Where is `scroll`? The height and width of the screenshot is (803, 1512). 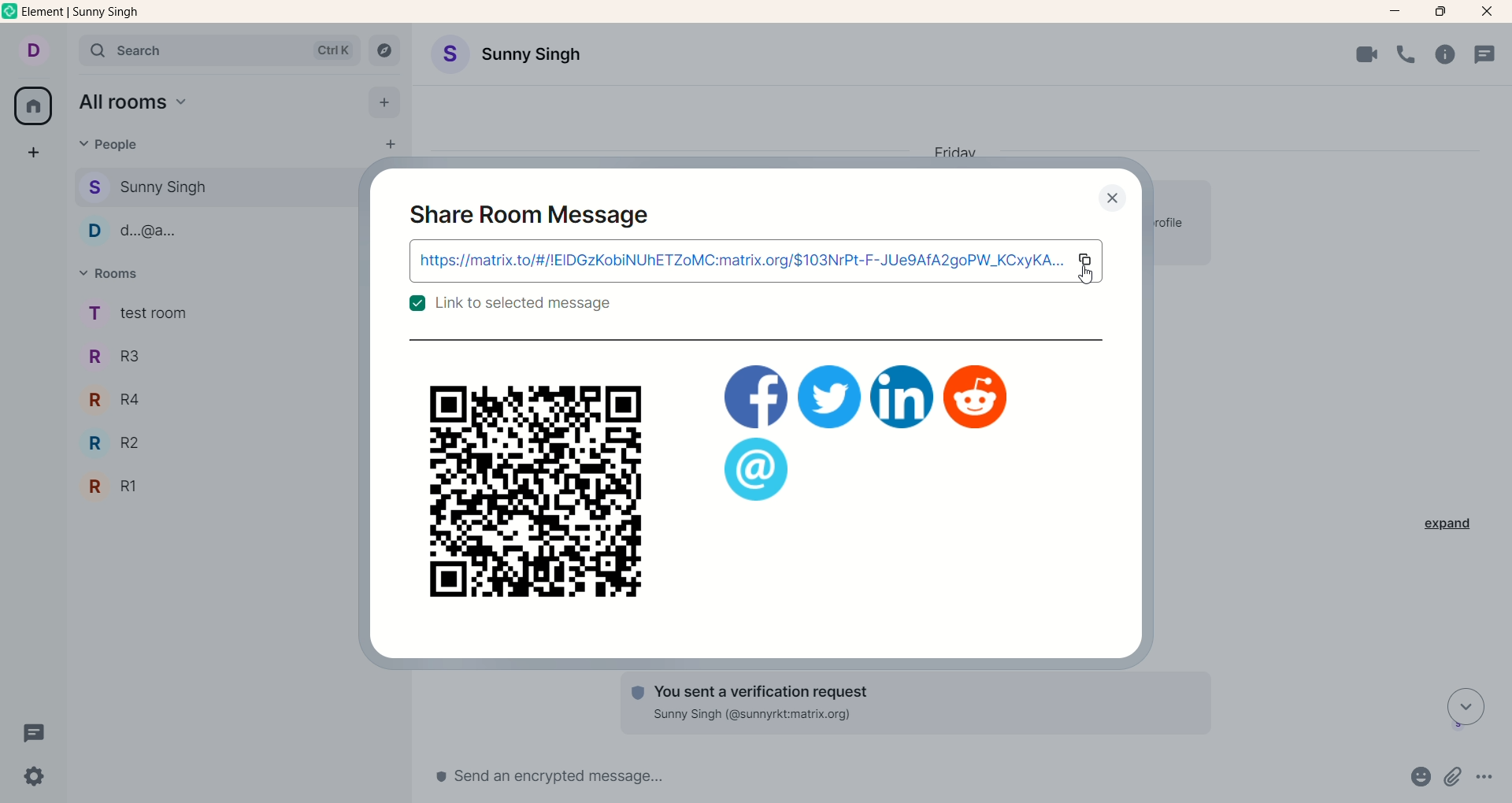 scroll is located at coordinates (1462, 708).